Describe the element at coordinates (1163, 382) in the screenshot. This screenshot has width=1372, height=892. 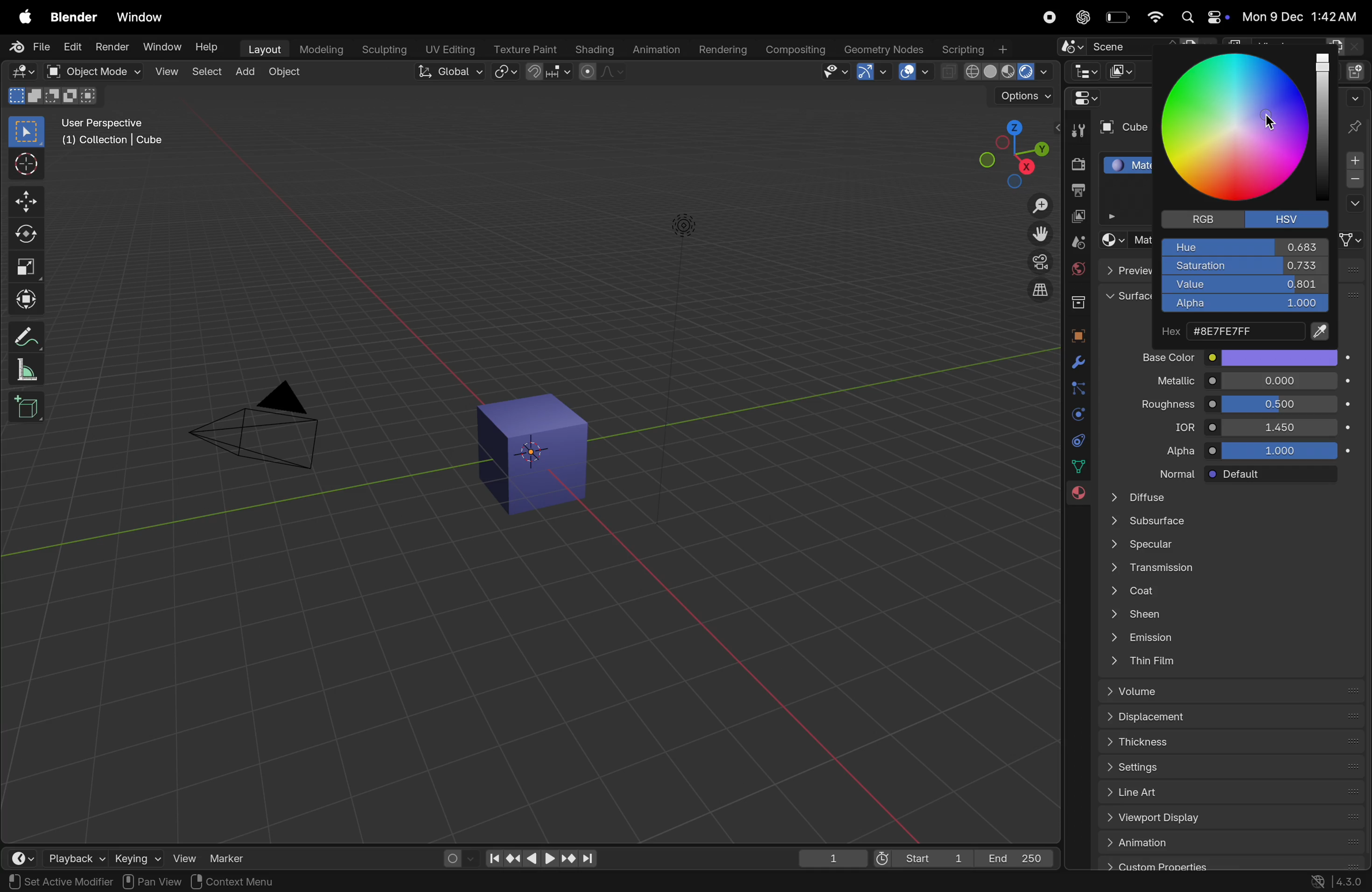
I see `metallic` at that location.